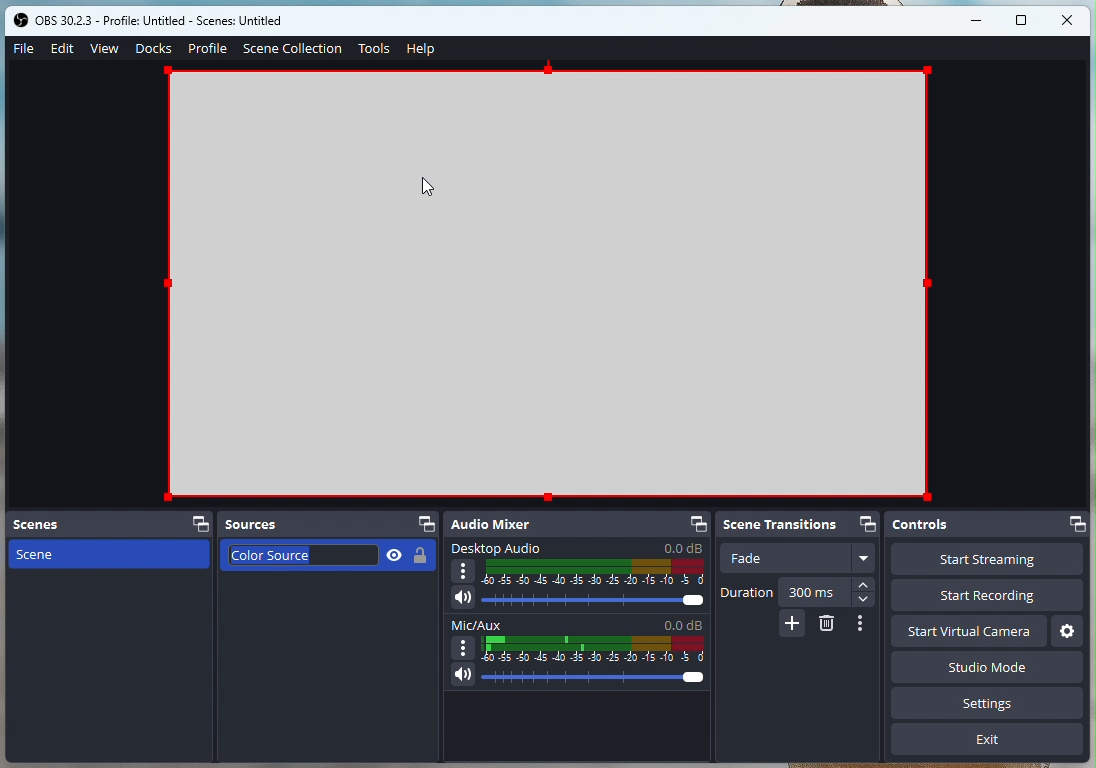  Describe the element at coordinates (580, 577) in the screenshot. I see `Desktop Audio` at that location.